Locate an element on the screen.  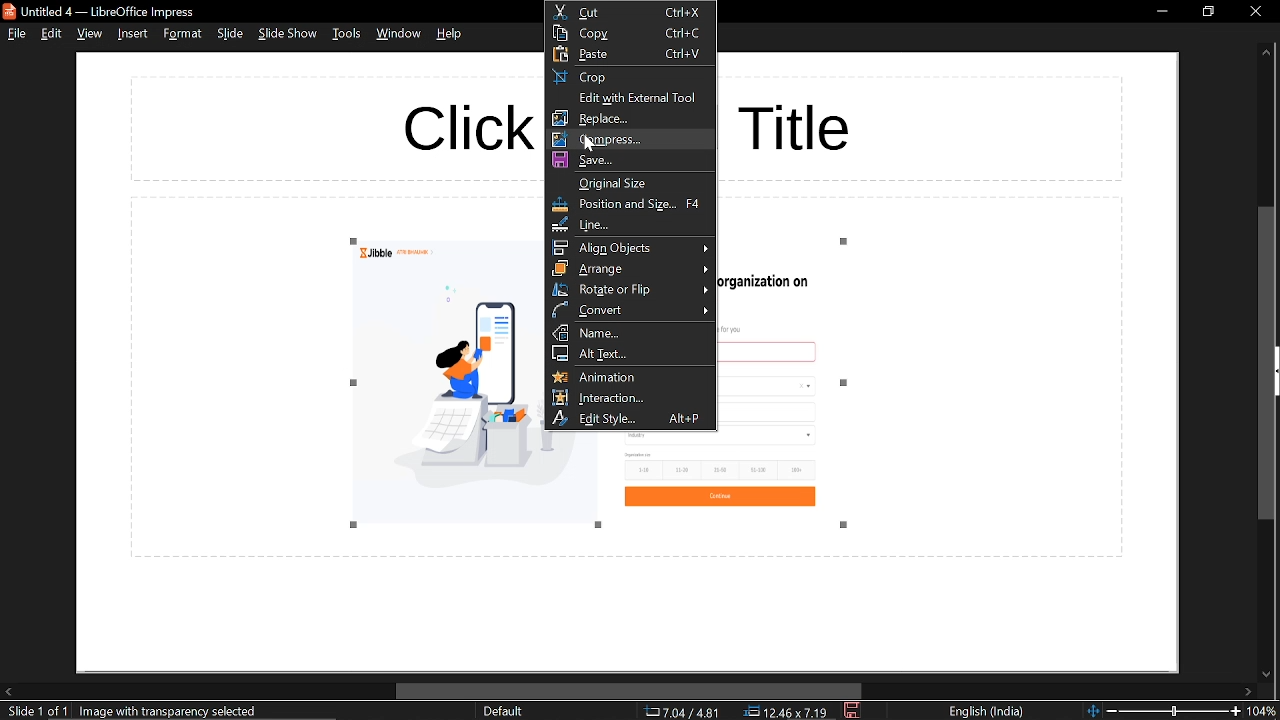
paste is located at coordinates (598, 54).